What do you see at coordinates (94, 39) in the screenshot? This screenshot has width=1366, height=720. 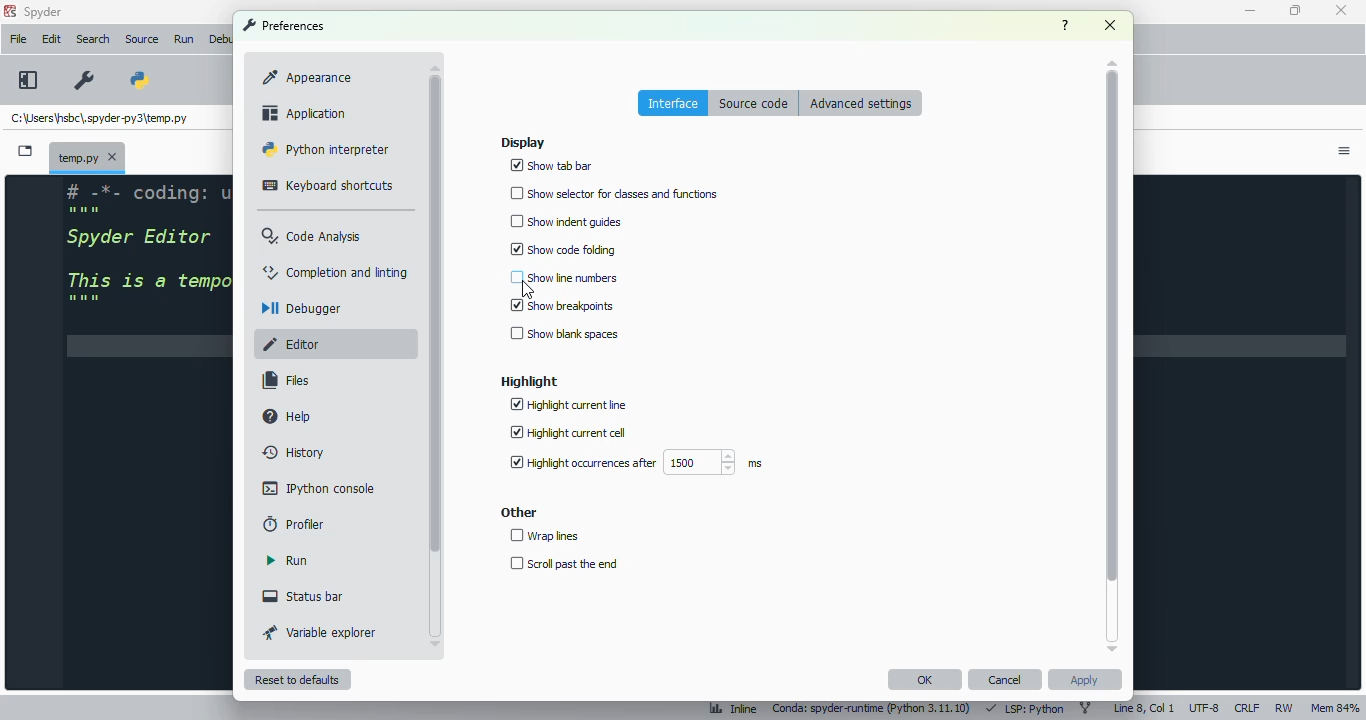 I see `search` at bounding box center [94, 39].